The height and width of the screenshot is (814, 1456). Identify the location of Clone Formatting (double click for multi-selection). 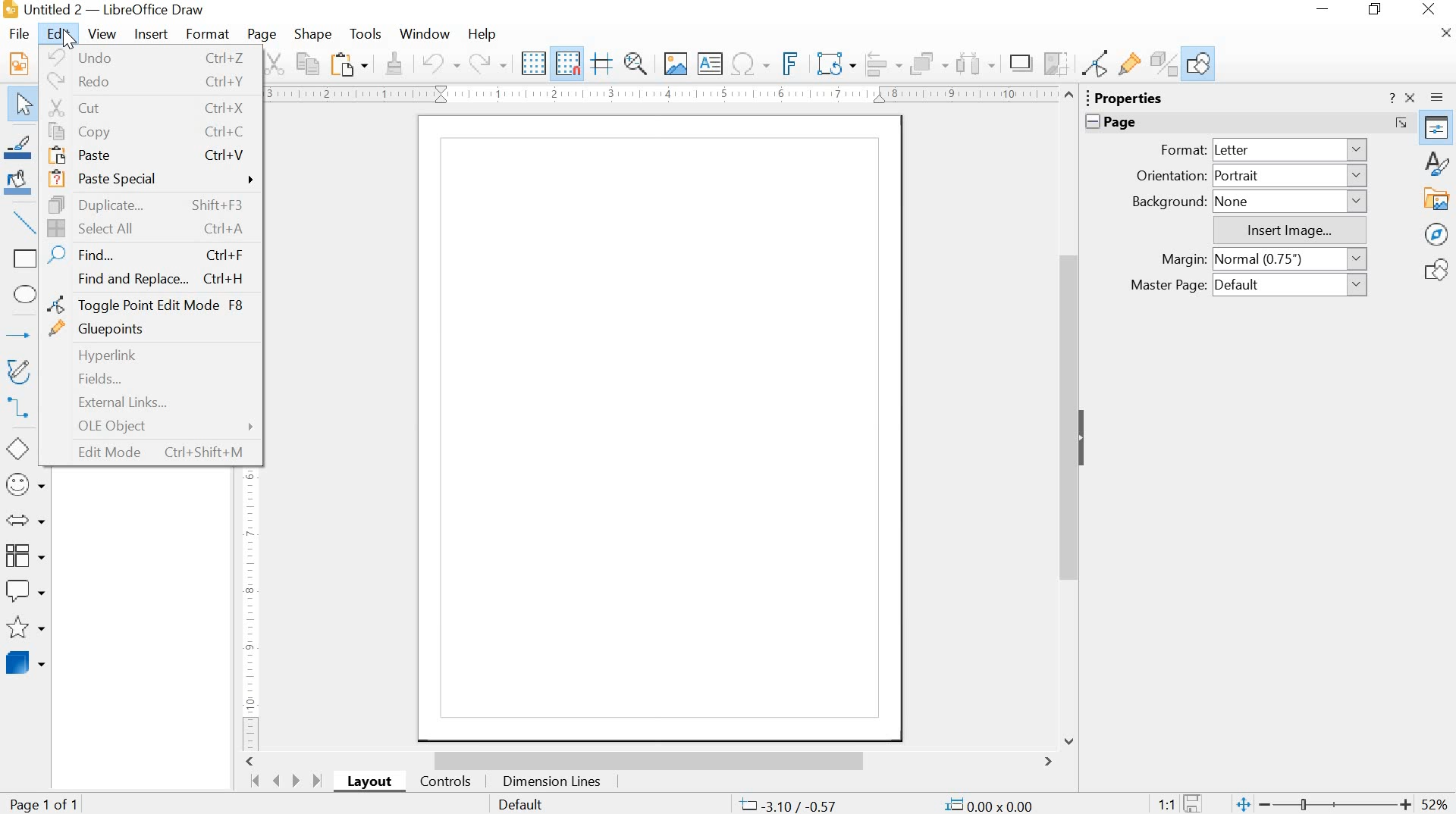
(394, 62).